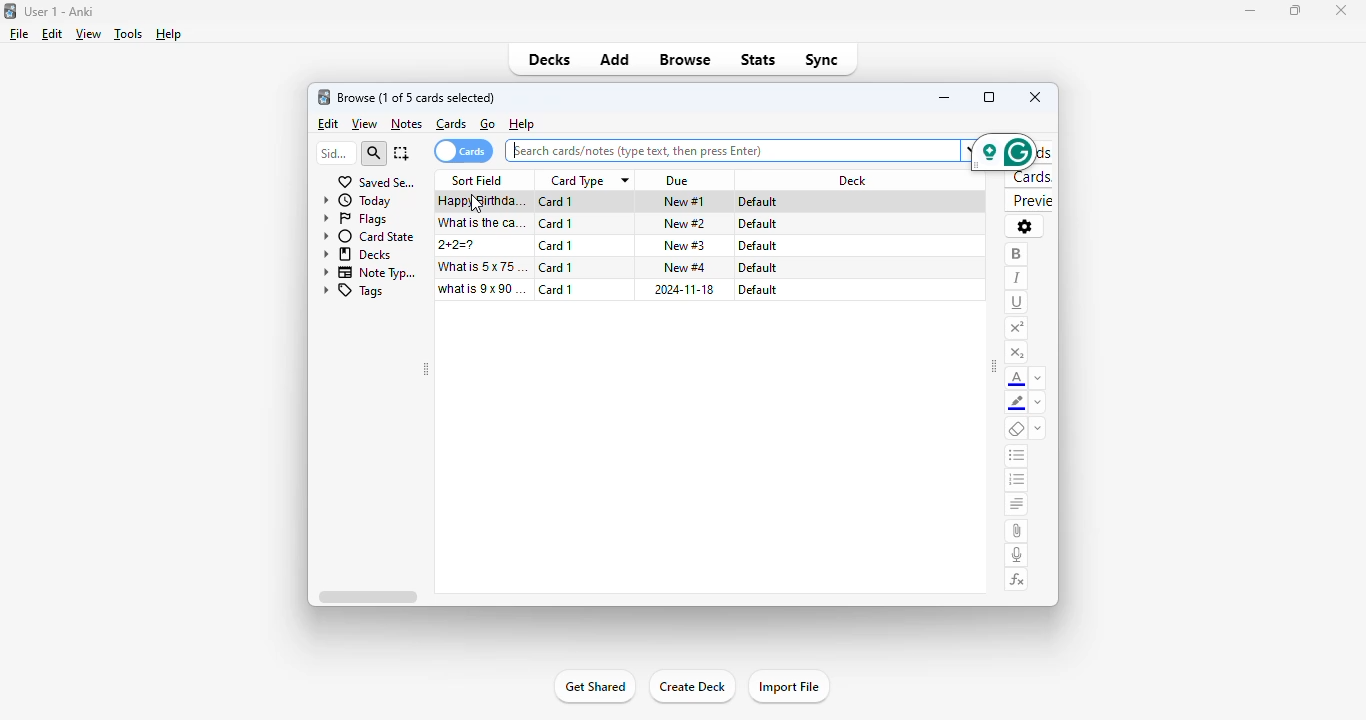 The image size is (1366, 720). What do you see at coordinates (555, 246) in the screenshot?
I see `card 1` at bounding box center [555, 246].